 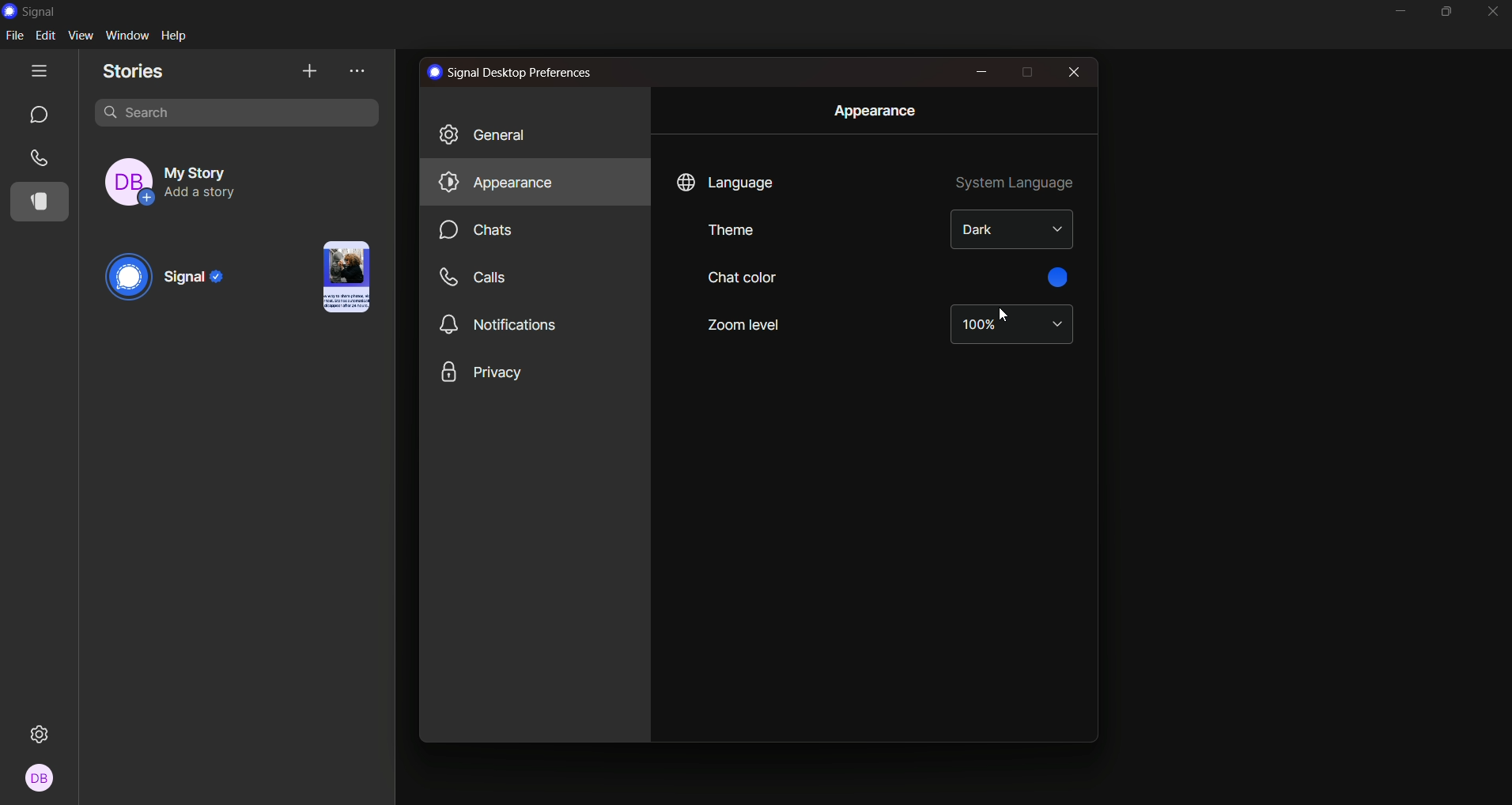 I want to click on view, so click(x=81, y=36).